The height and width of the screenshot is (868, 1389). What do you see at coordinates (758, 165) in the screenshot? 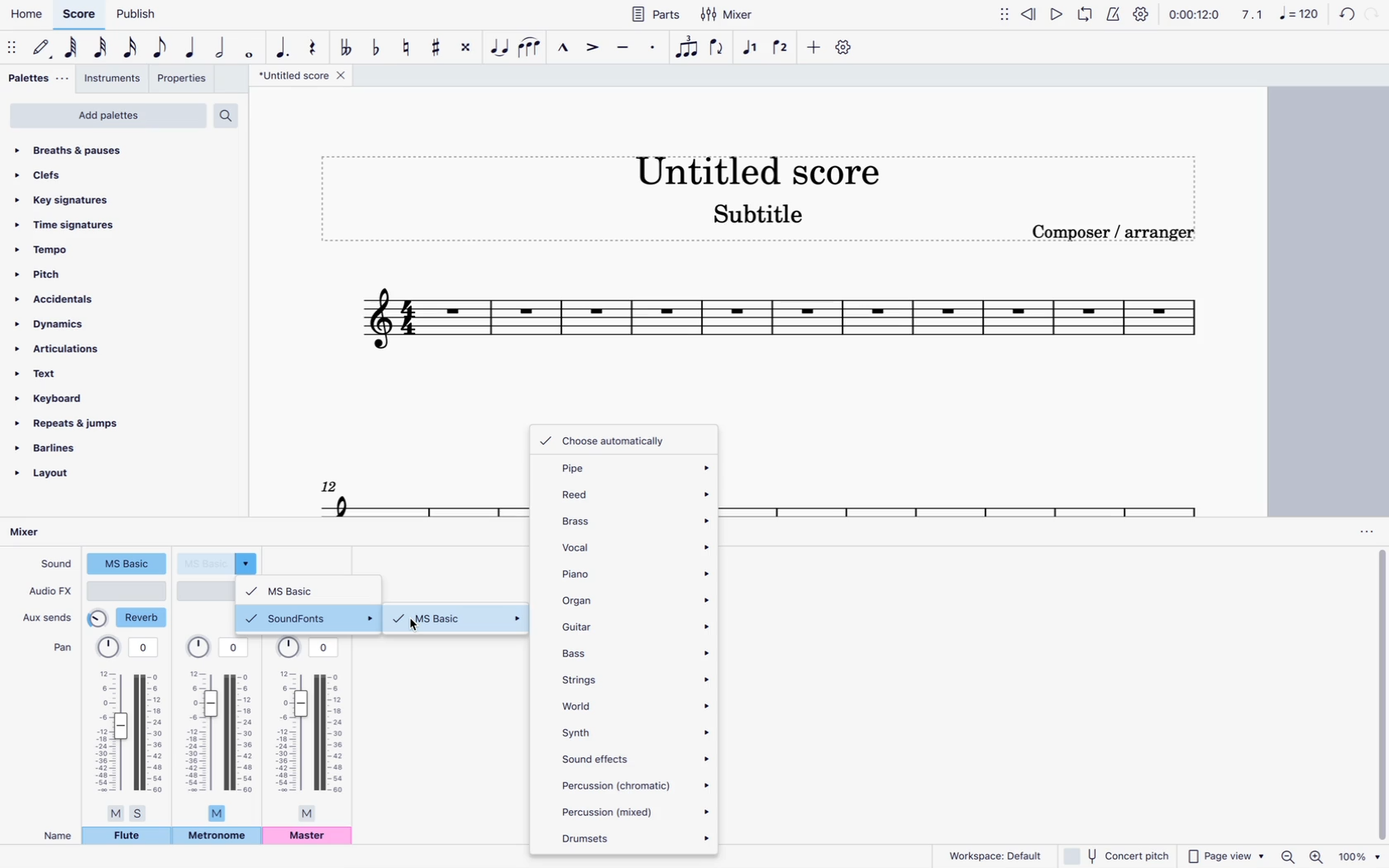
I see `score title` at bounding box center [758, 165].